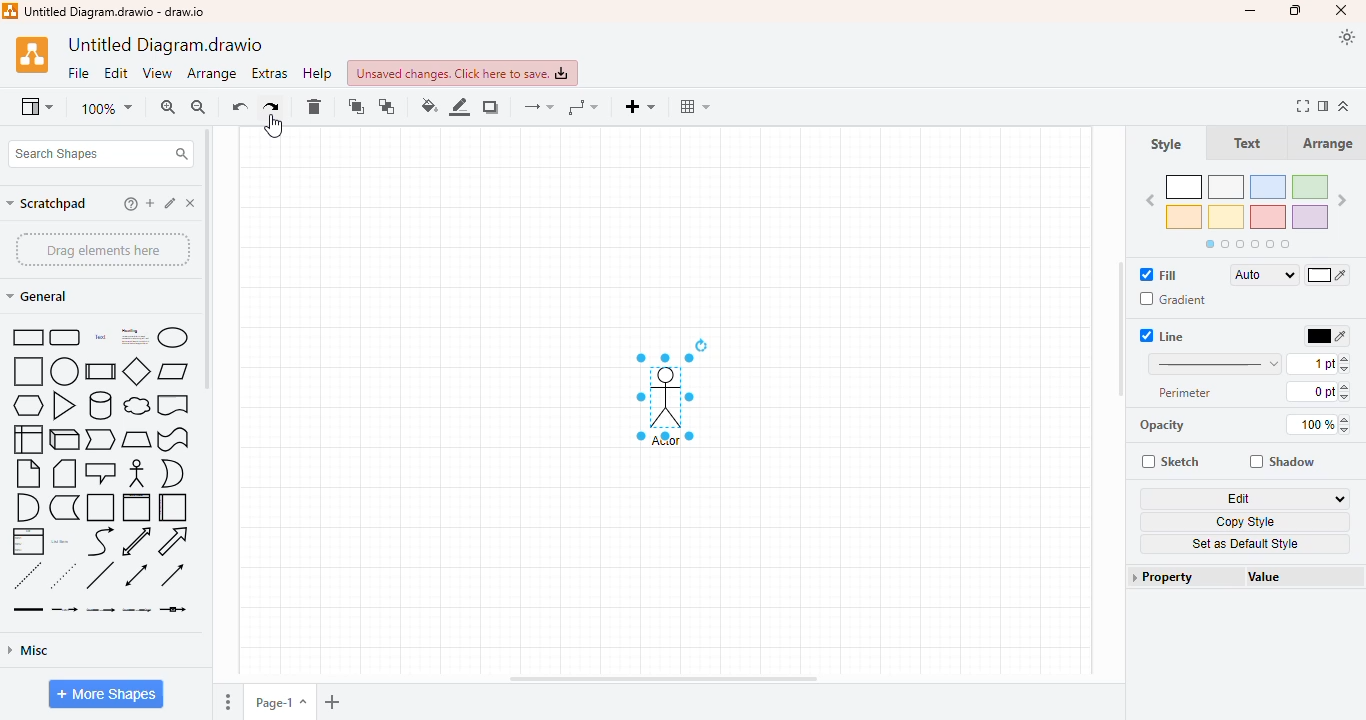  Describe the element at coordinates (167, 107) in the screenshot. I see `zoom in` at that location.